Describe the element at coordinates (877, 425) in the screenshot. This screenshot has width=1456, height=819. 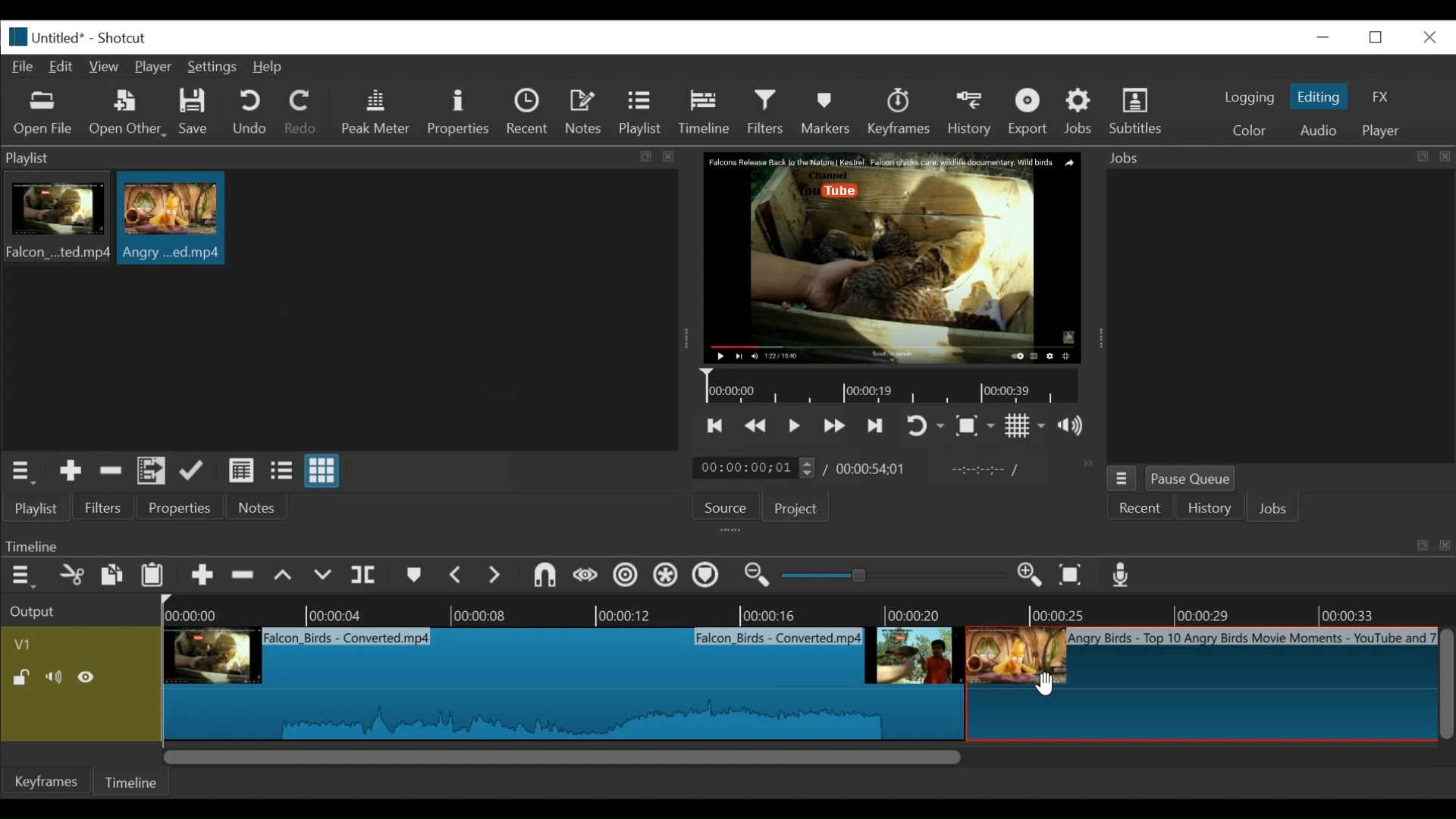
I see `skip to the next point` at that location.